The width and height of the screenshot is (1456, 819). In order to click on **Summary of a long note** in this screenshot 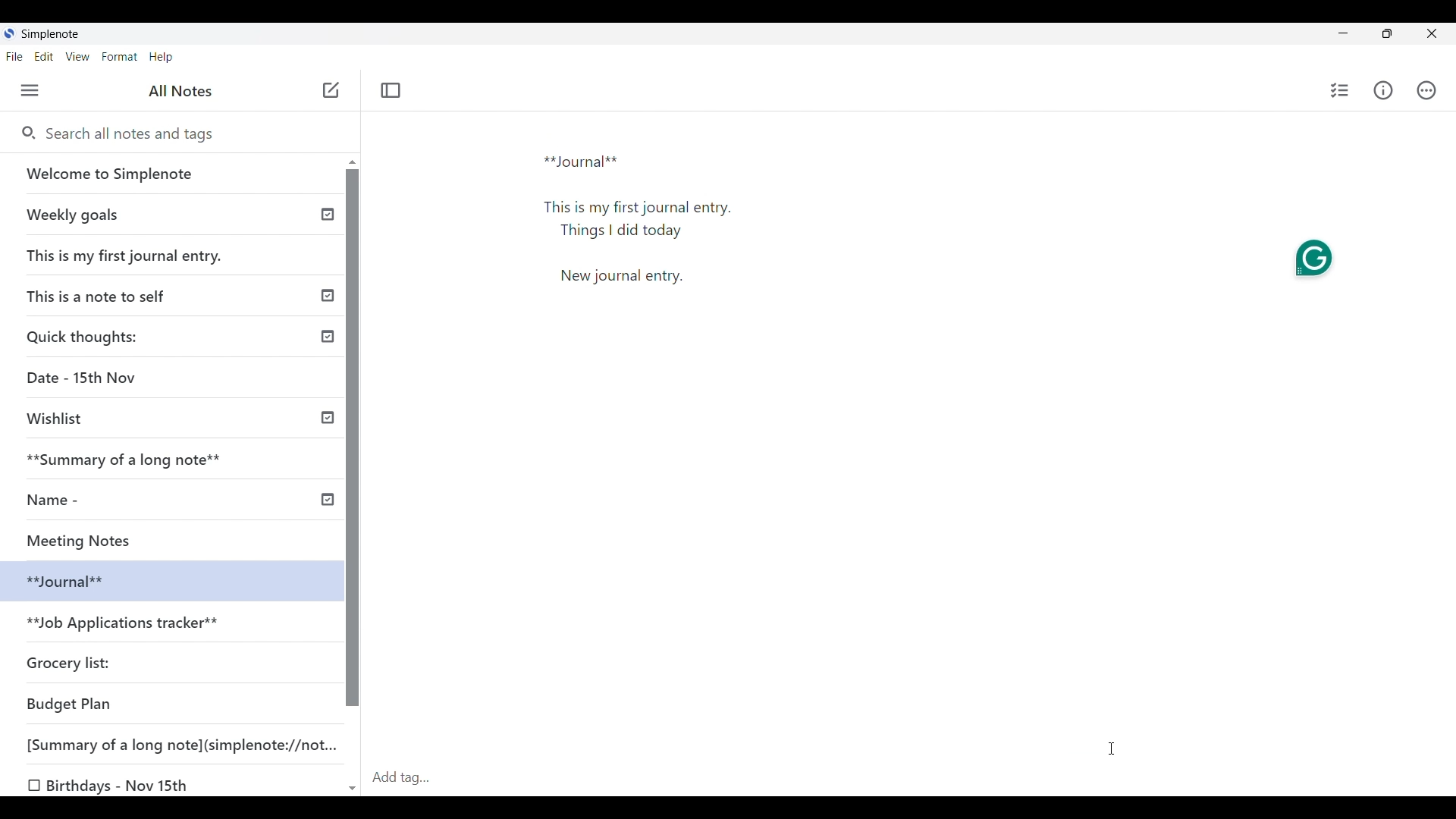, I will do `click(134, 459)`.